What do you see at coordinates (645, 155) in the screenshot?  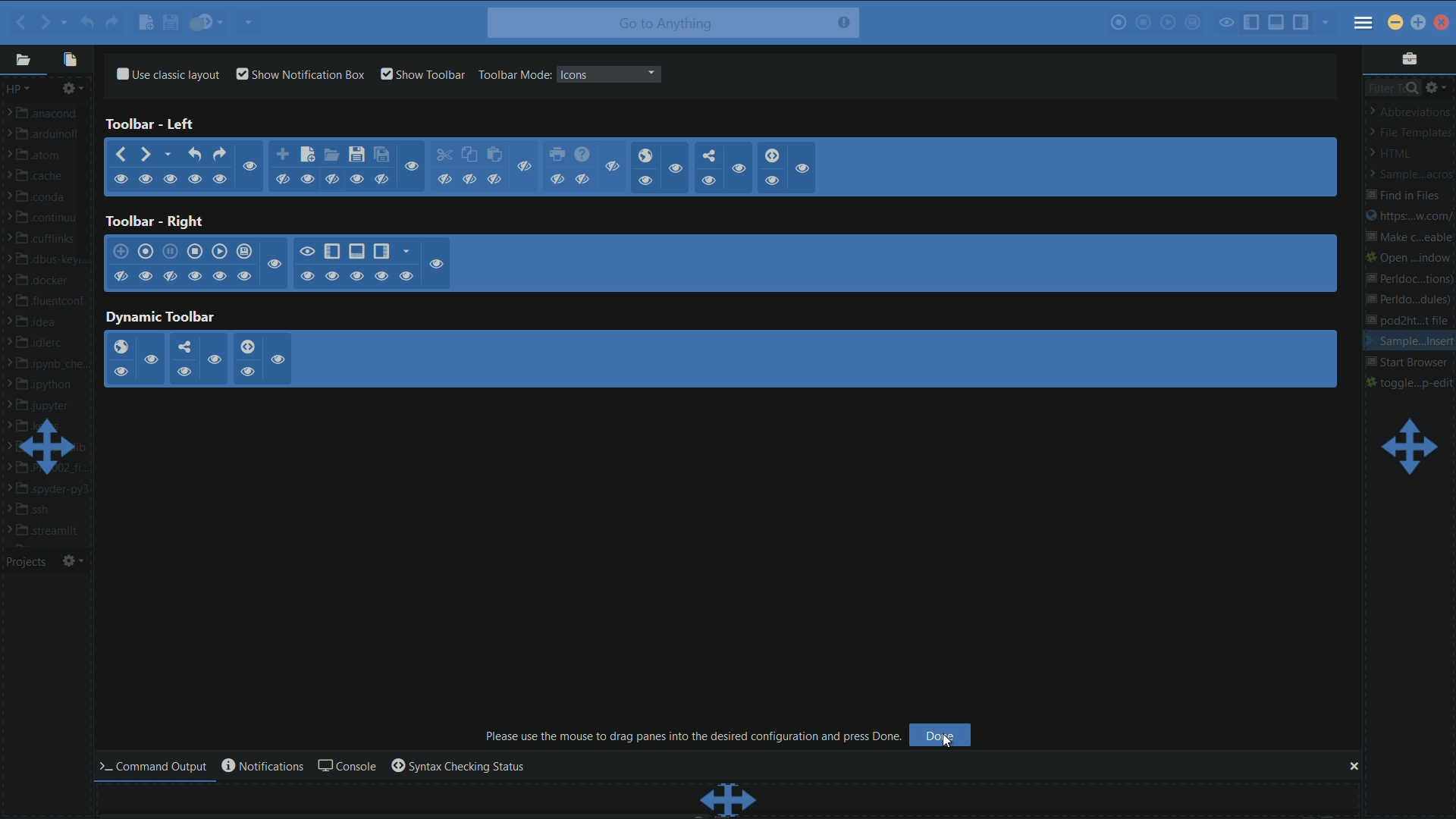 I see `view in browser` at bounding box center [645, 155].